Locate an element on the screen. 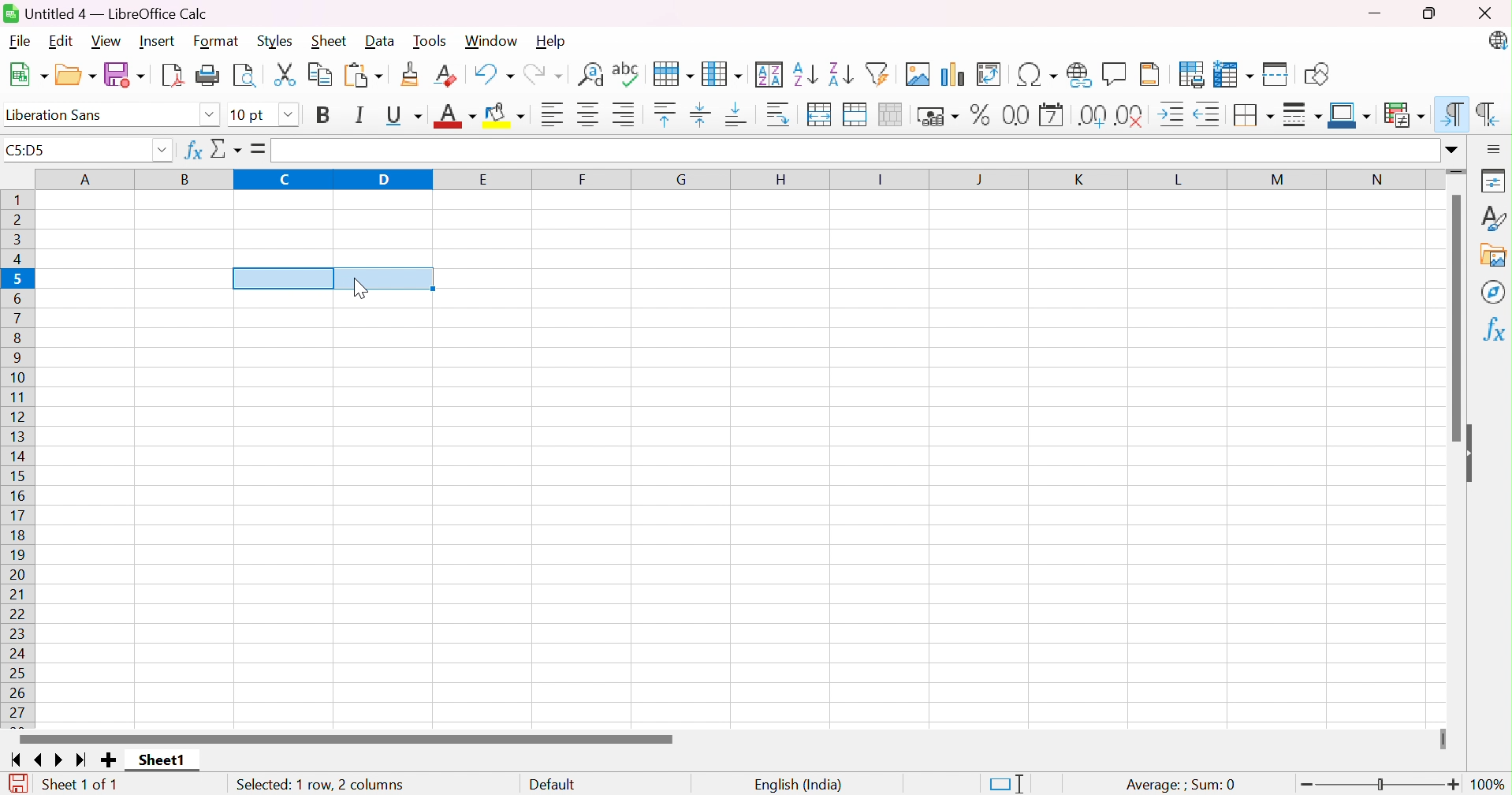  Drop Down is located at coordinates (208, 114).